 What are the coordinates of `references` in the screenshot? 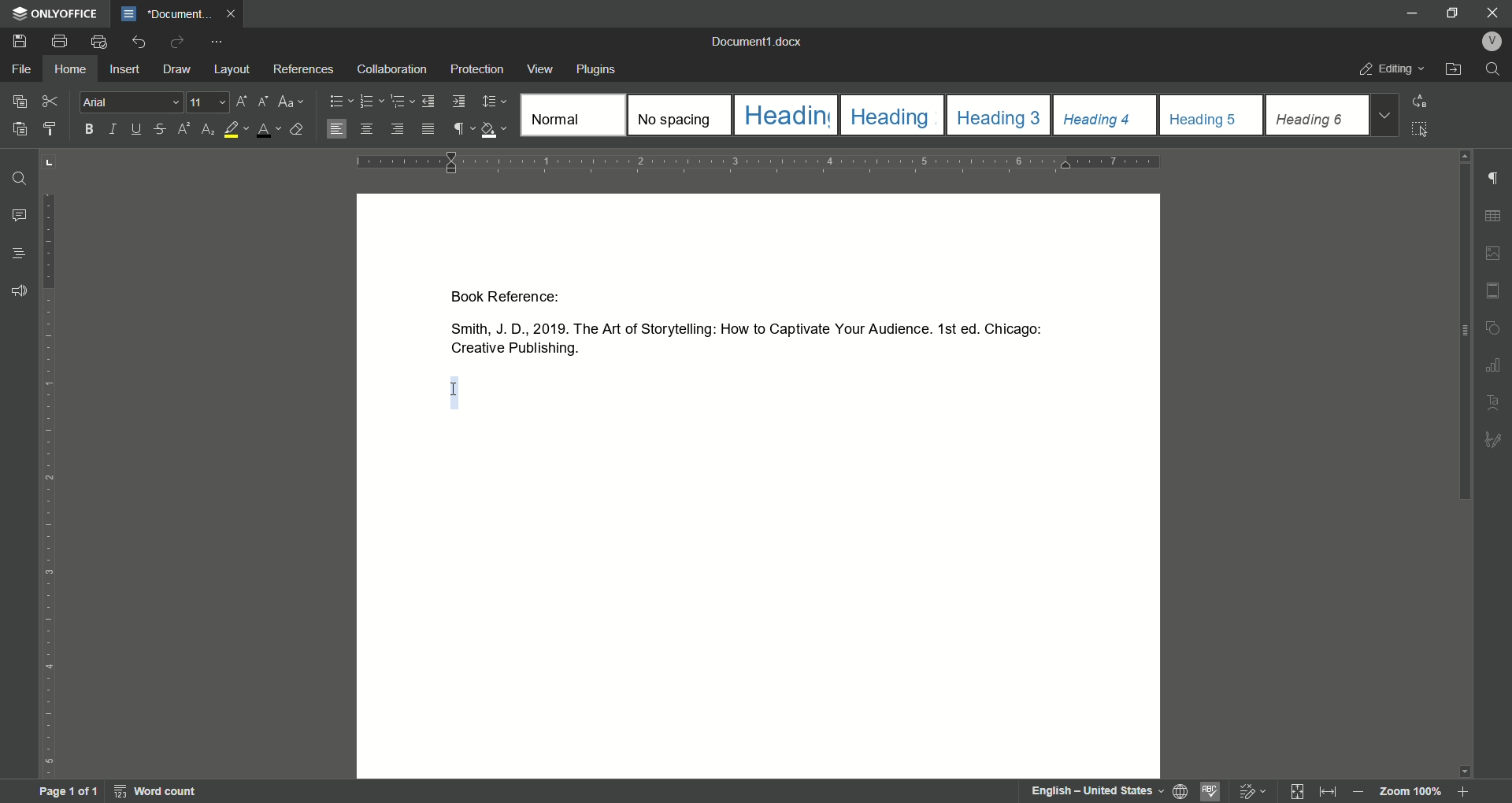 It's located at (304, 68).